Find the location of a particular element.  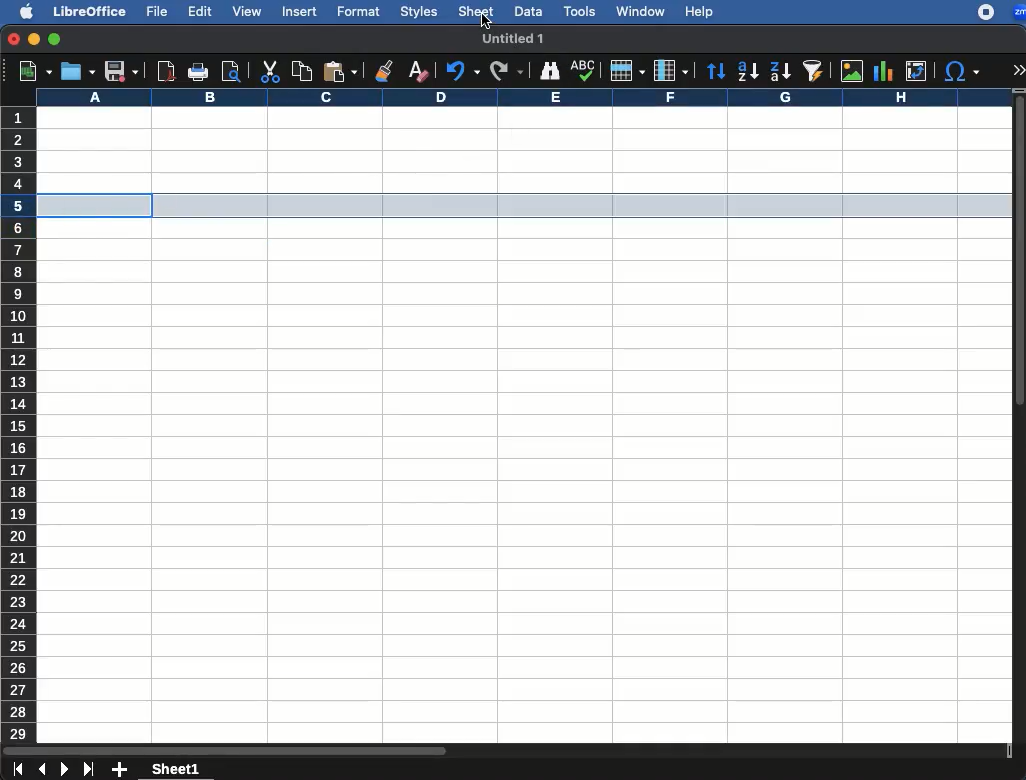

maximize is located at coordinates (54, 39).